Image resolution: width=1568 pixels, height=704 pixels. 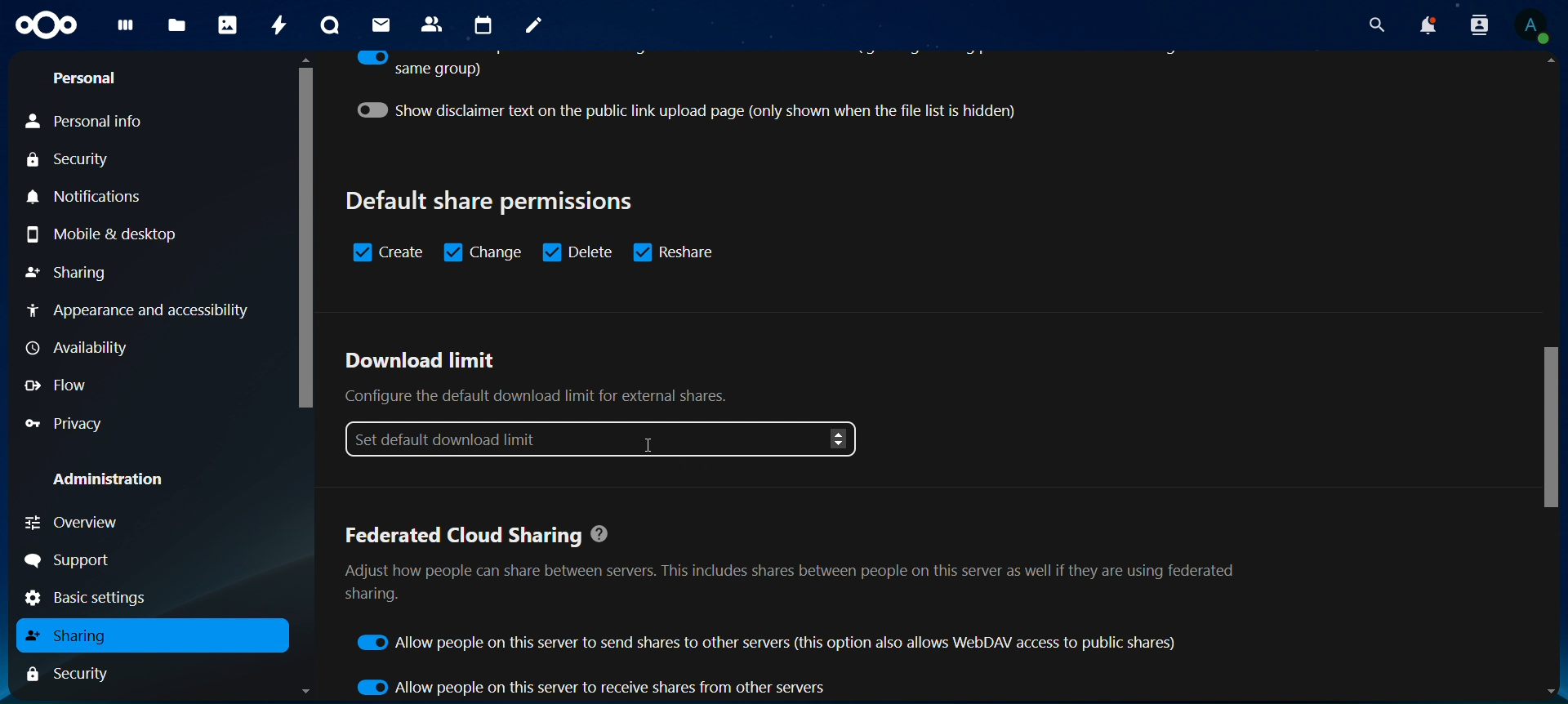 I want to click on reshare, so click(x=681, y=251).